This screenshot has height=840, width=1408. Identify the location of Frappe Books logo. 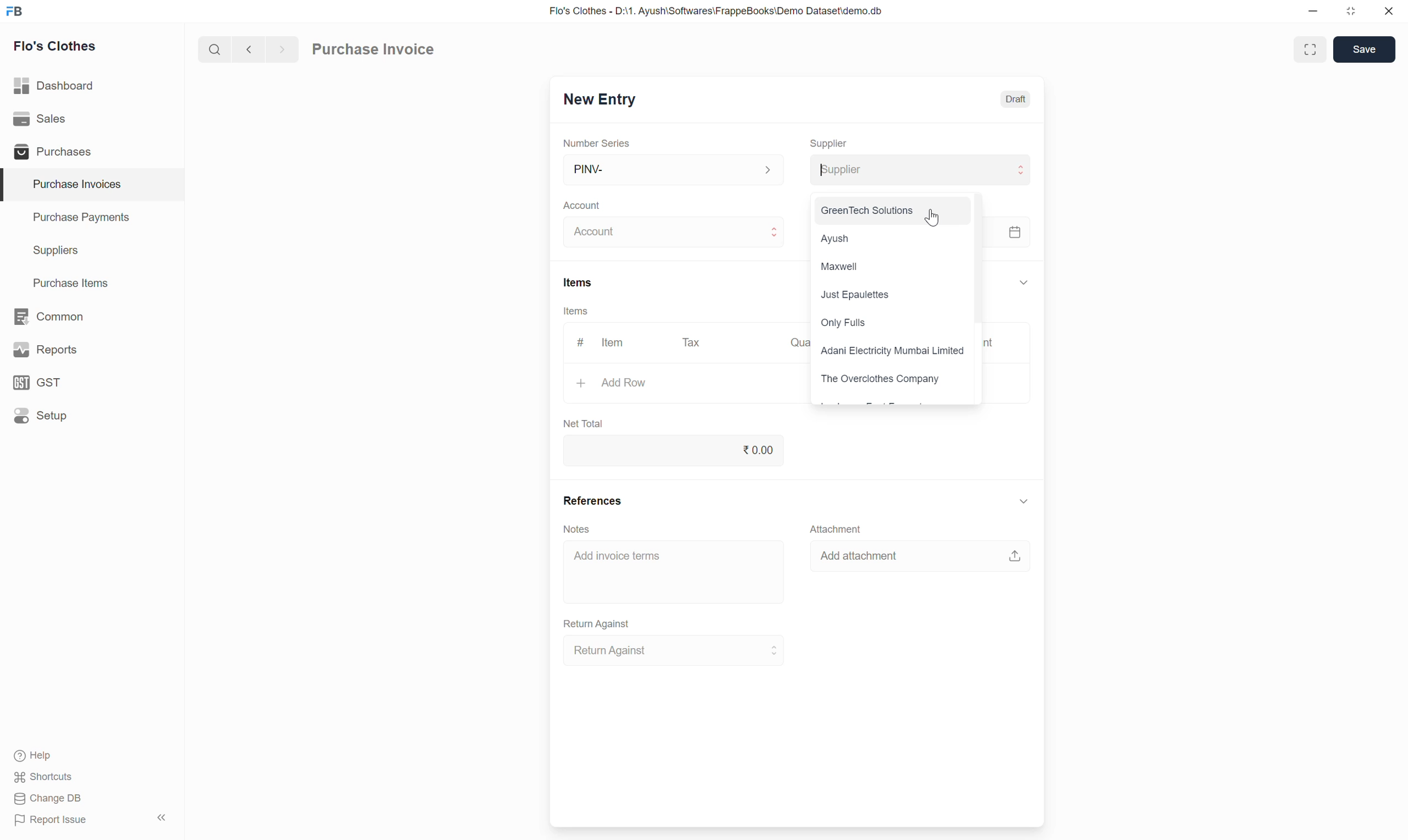
(14, 11).